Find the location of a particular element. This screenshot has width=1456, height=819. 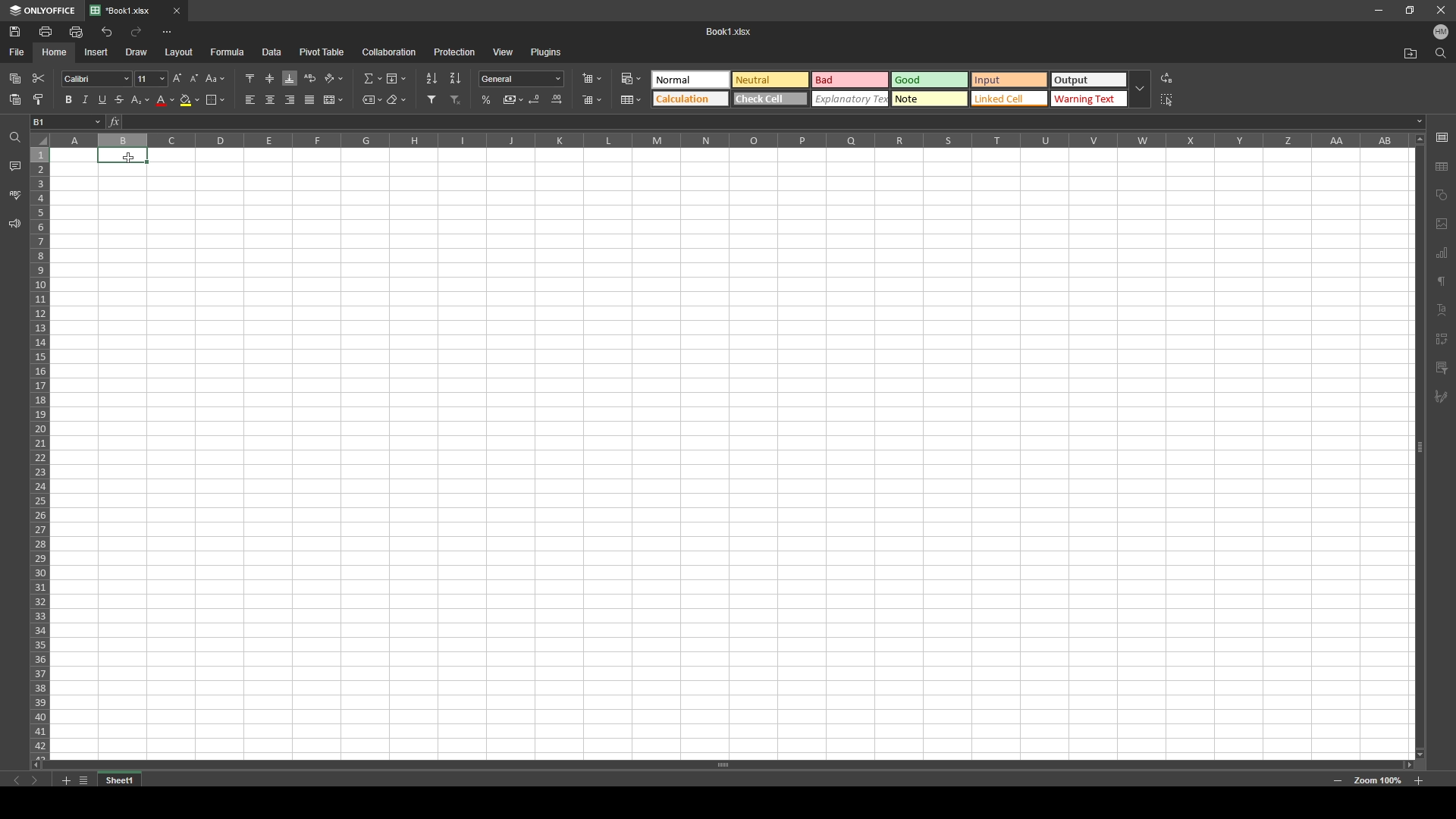

Cursor is located at coordinates (123, 158).